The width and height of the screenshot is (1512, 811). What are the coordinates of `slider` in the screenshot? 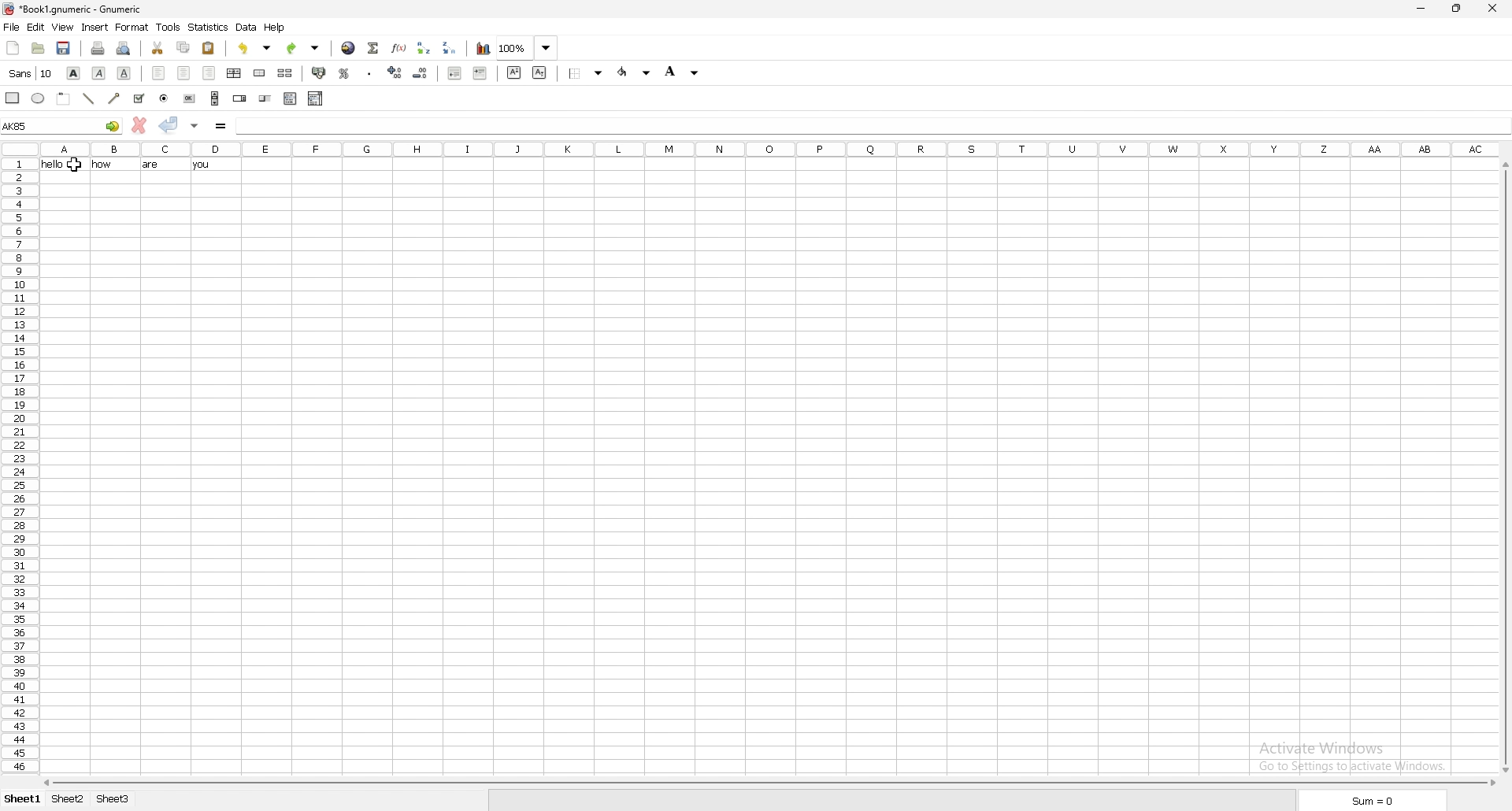 It's located at (265, 98).